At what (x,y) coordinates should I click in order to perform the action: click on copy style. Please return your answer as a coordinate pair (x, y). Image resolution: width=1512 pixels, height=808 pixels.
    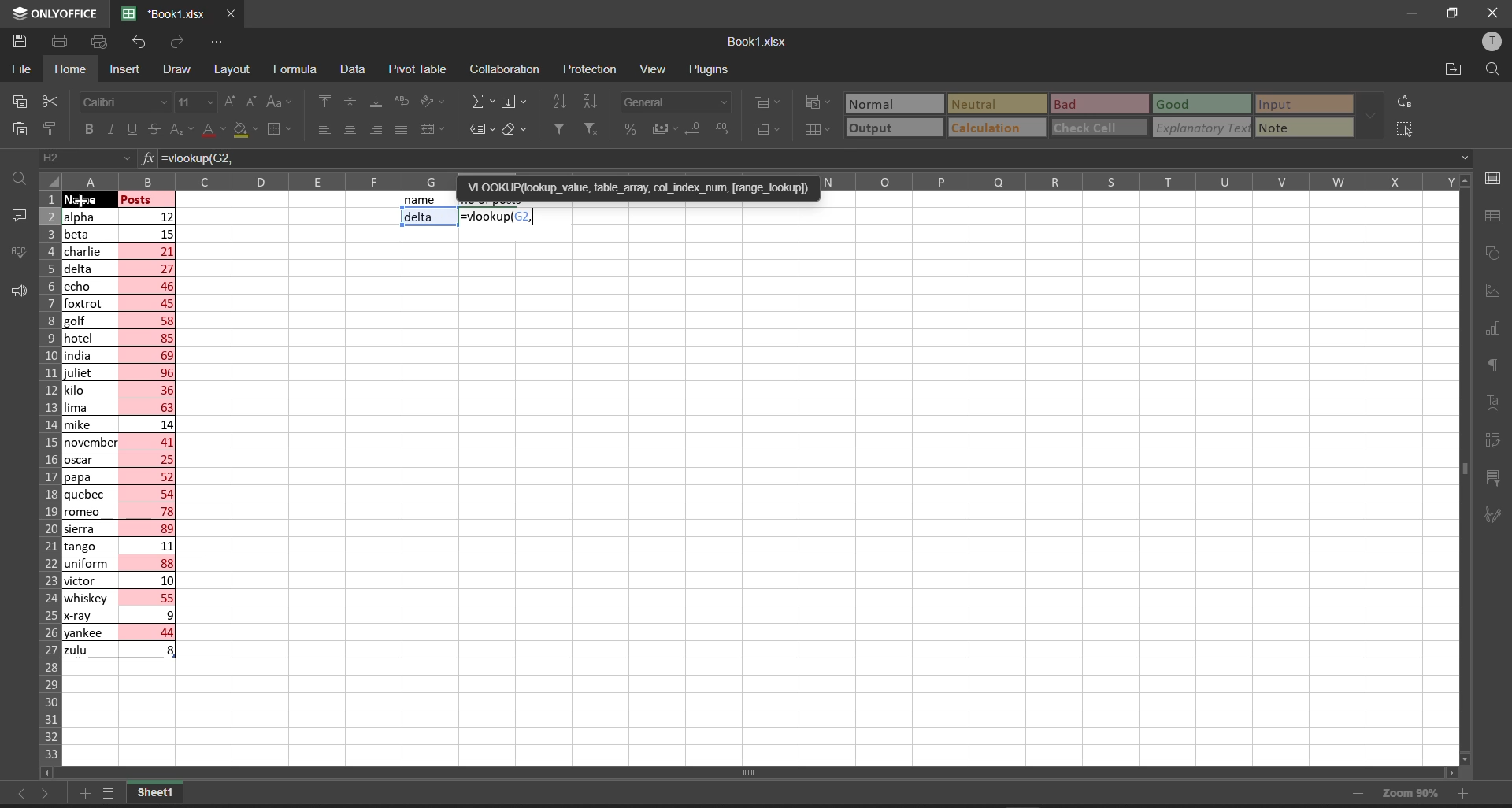
    Looking at the image, I should click on (55, 128).